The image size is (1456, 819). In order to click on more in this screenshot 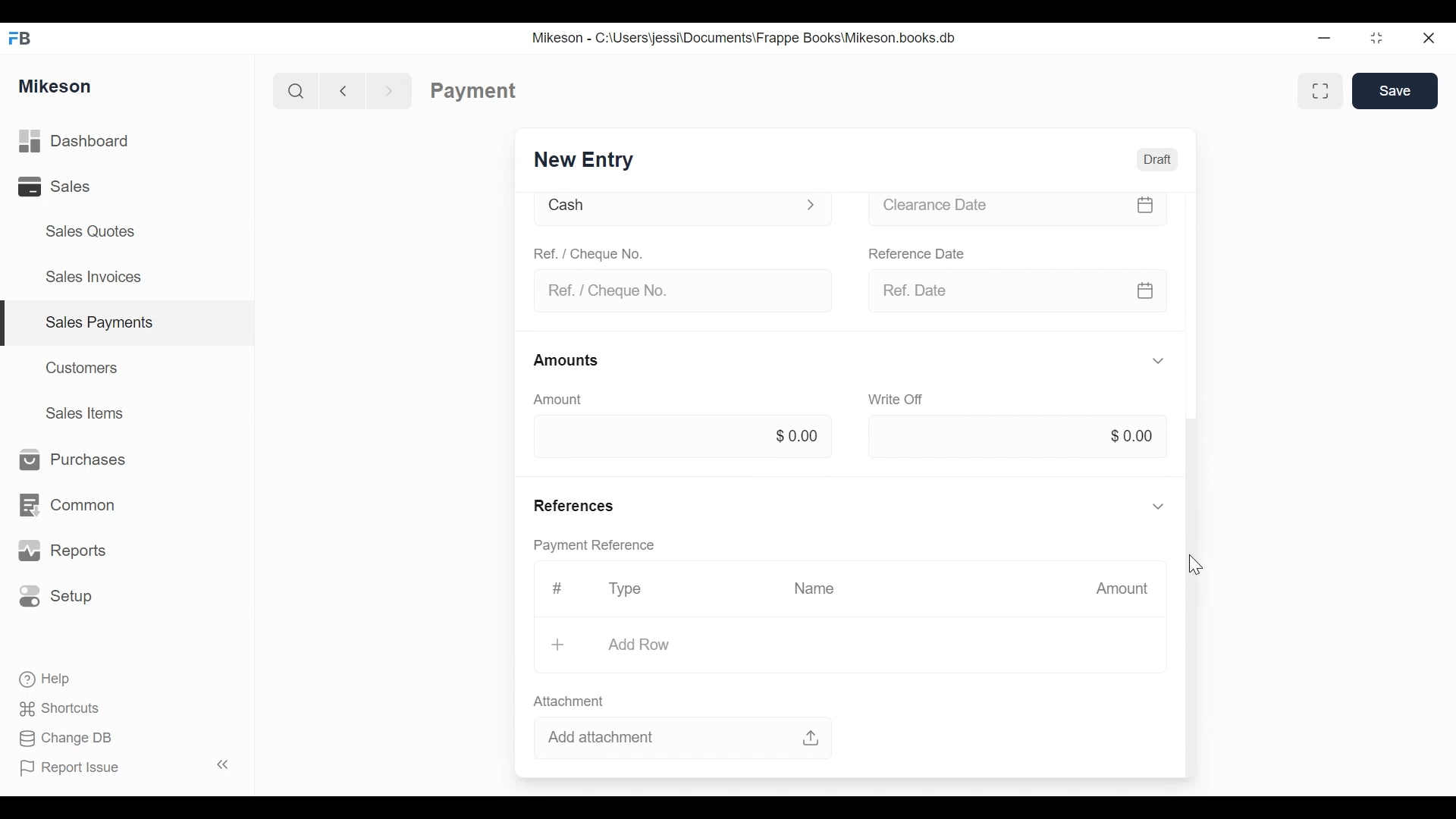, I will do `click(808, 205)`.